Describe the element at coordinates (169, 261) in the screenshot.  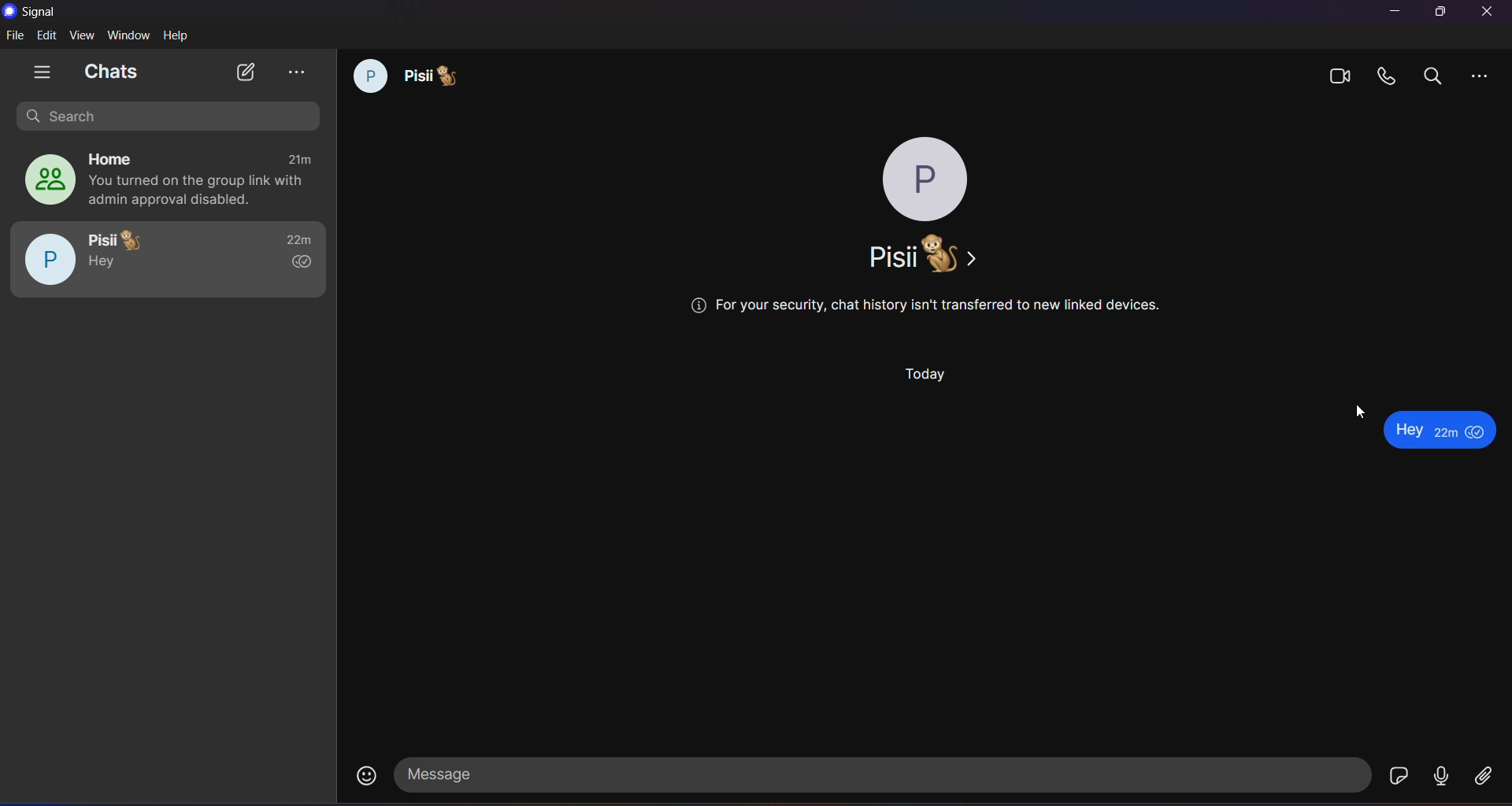
I see `pisii chat` at that location.